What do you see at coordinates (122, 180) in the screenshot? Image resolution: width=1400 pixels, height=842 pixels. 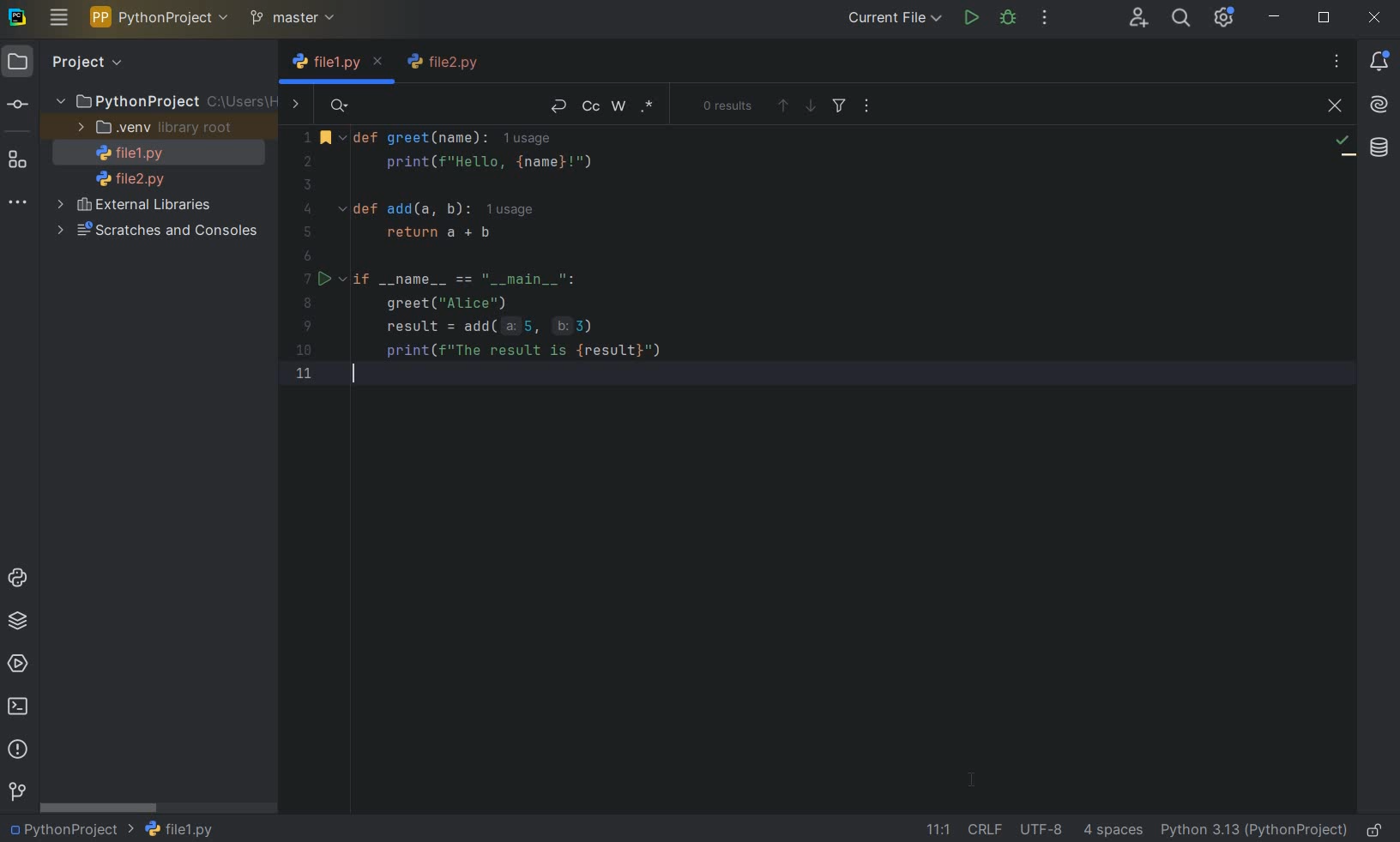 I see `FILE NAME 2` at bounding box center [122, 180].